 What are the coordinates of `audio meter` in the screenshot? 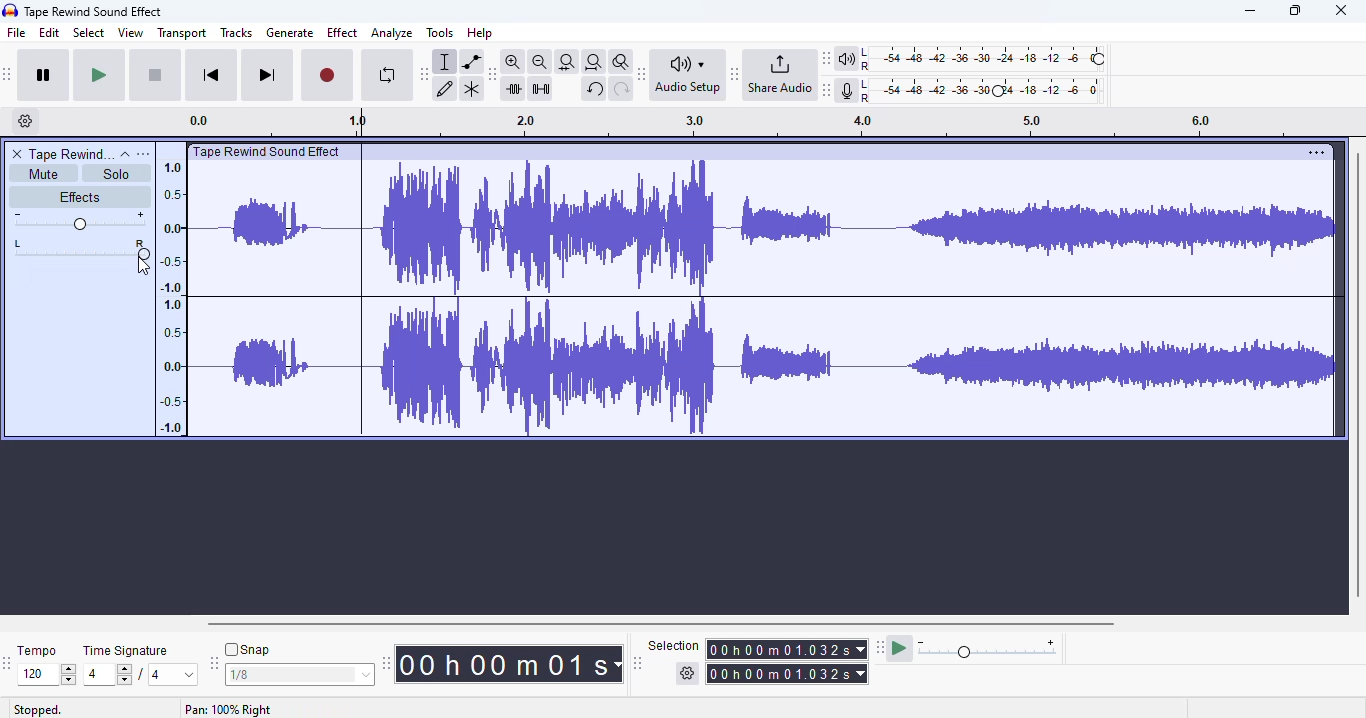 It's located at (973, 92).